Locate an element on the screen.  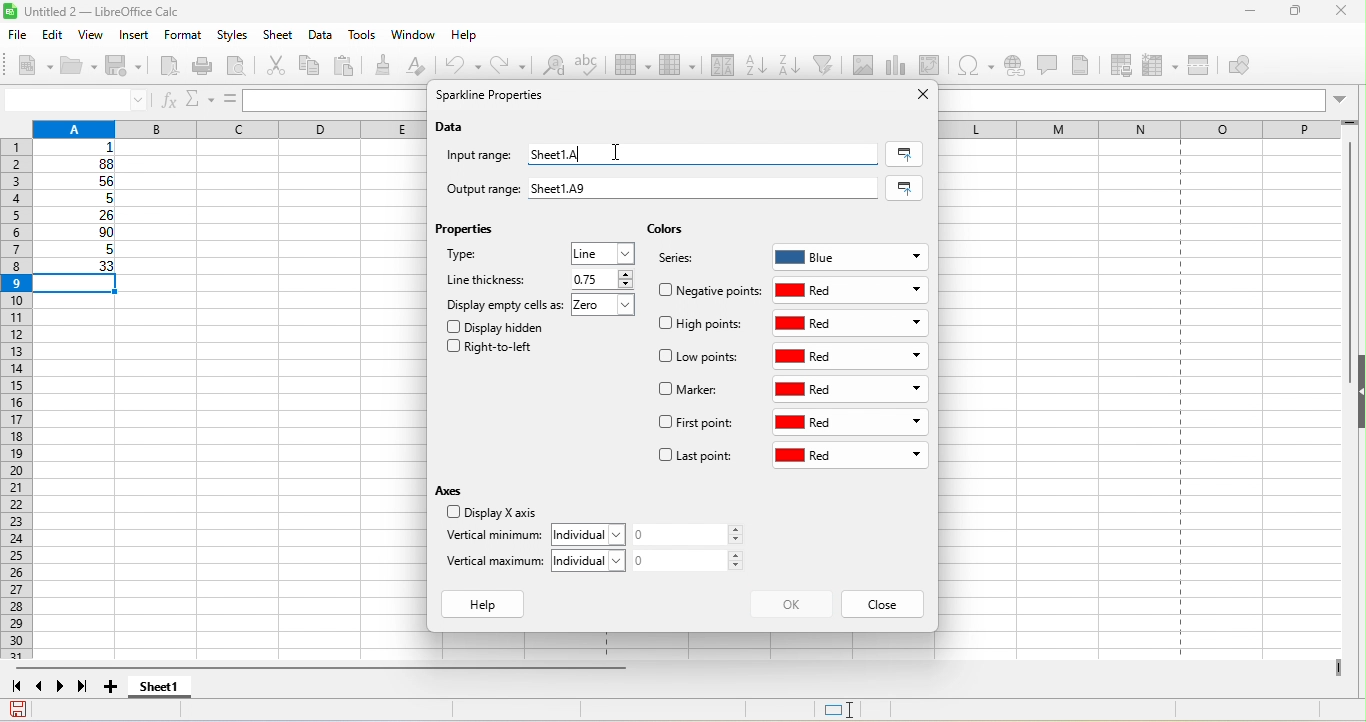
0 is located at coordinates (694, 535).